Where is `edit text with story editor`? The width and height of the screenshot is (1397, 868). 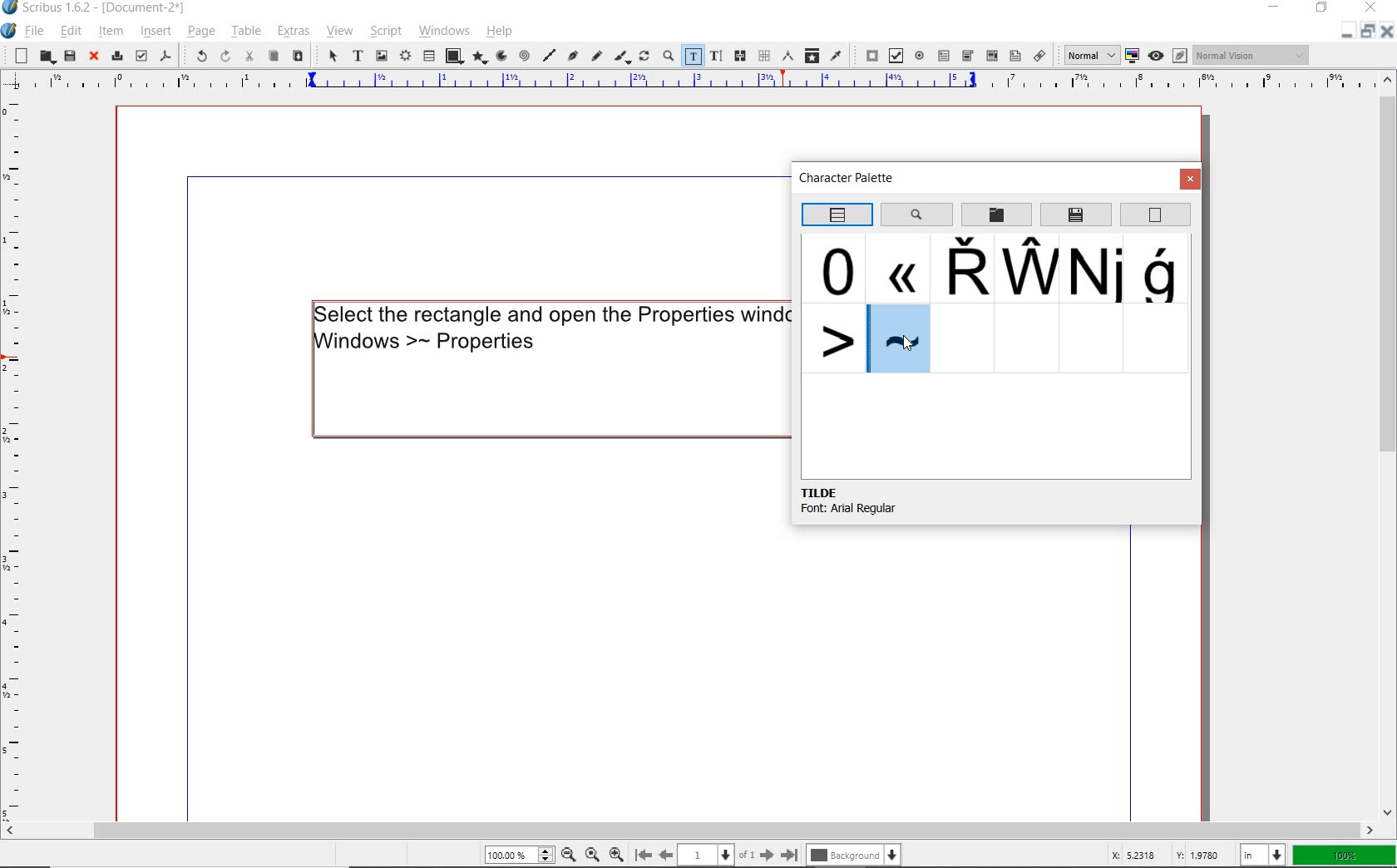
edit text with story editor is located at coordinates (715, 55).